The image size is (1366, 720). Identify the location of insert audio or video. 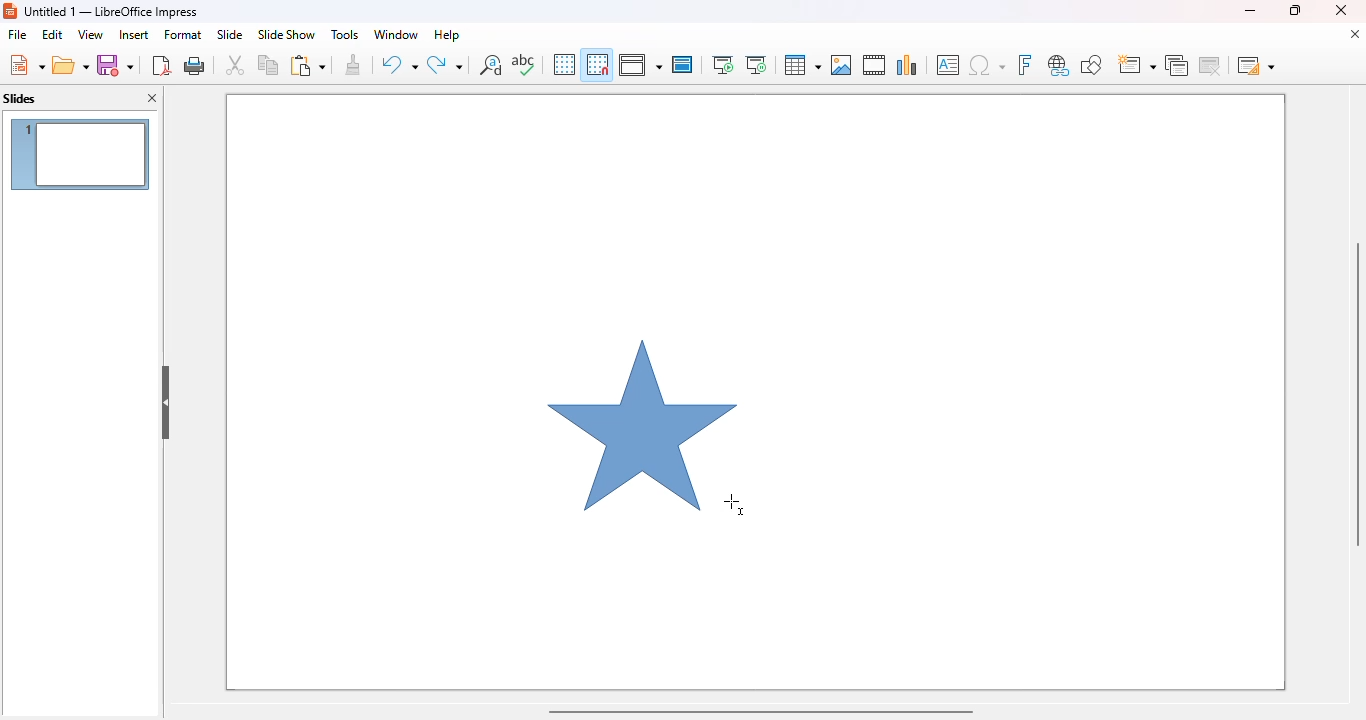
(874, 64).